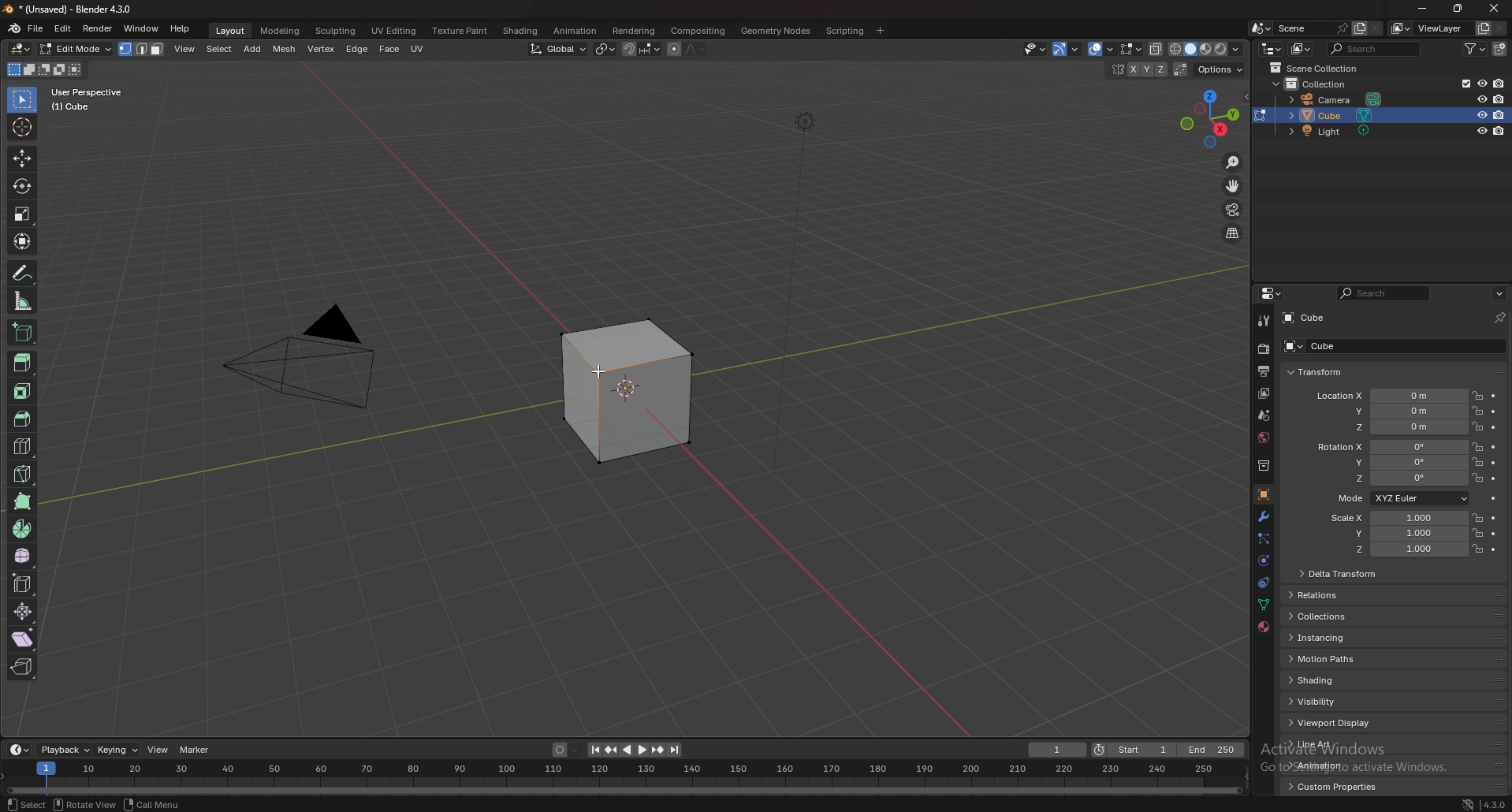 This screenshot has width=1512, height=812. What do you see at coordinates (1422, 9) in the screenshot?
I see `minimize` at bounding box center [1422, 9].